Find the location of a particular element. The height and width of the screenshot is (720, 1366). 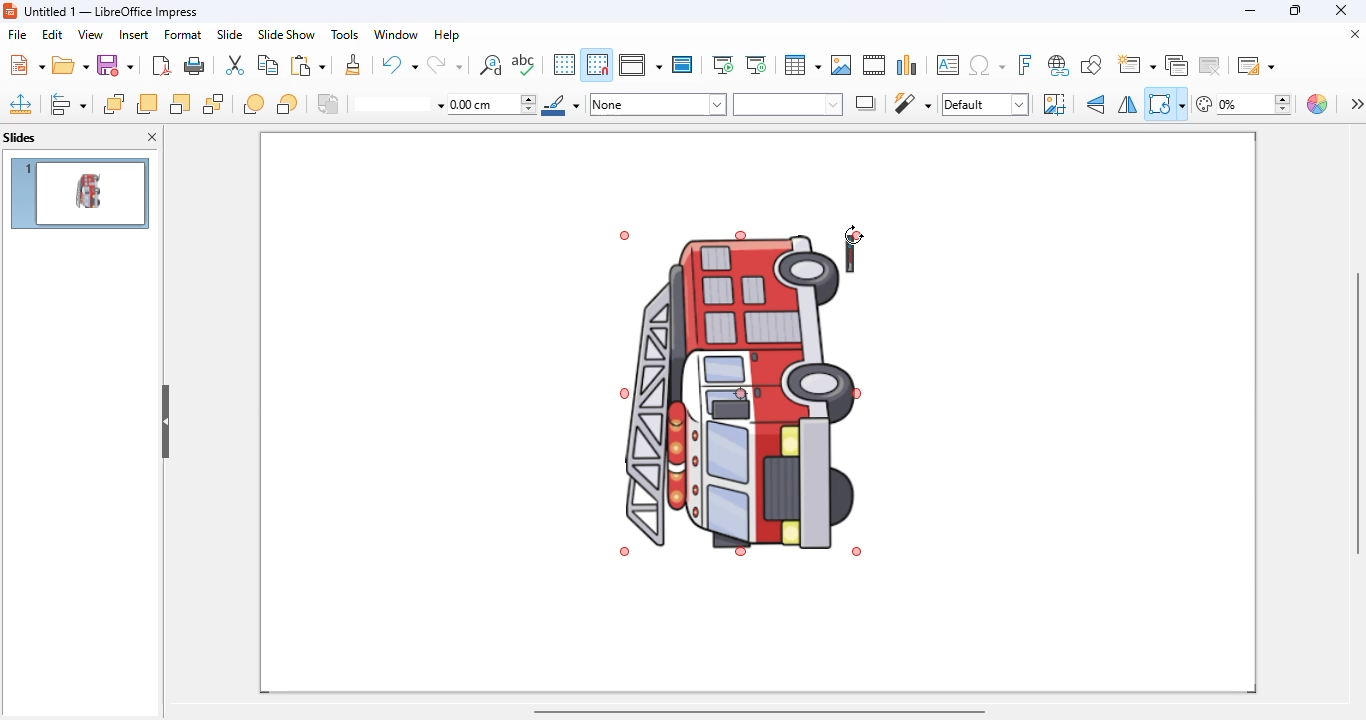

show draw functions is located at coordinates (1092, 65).